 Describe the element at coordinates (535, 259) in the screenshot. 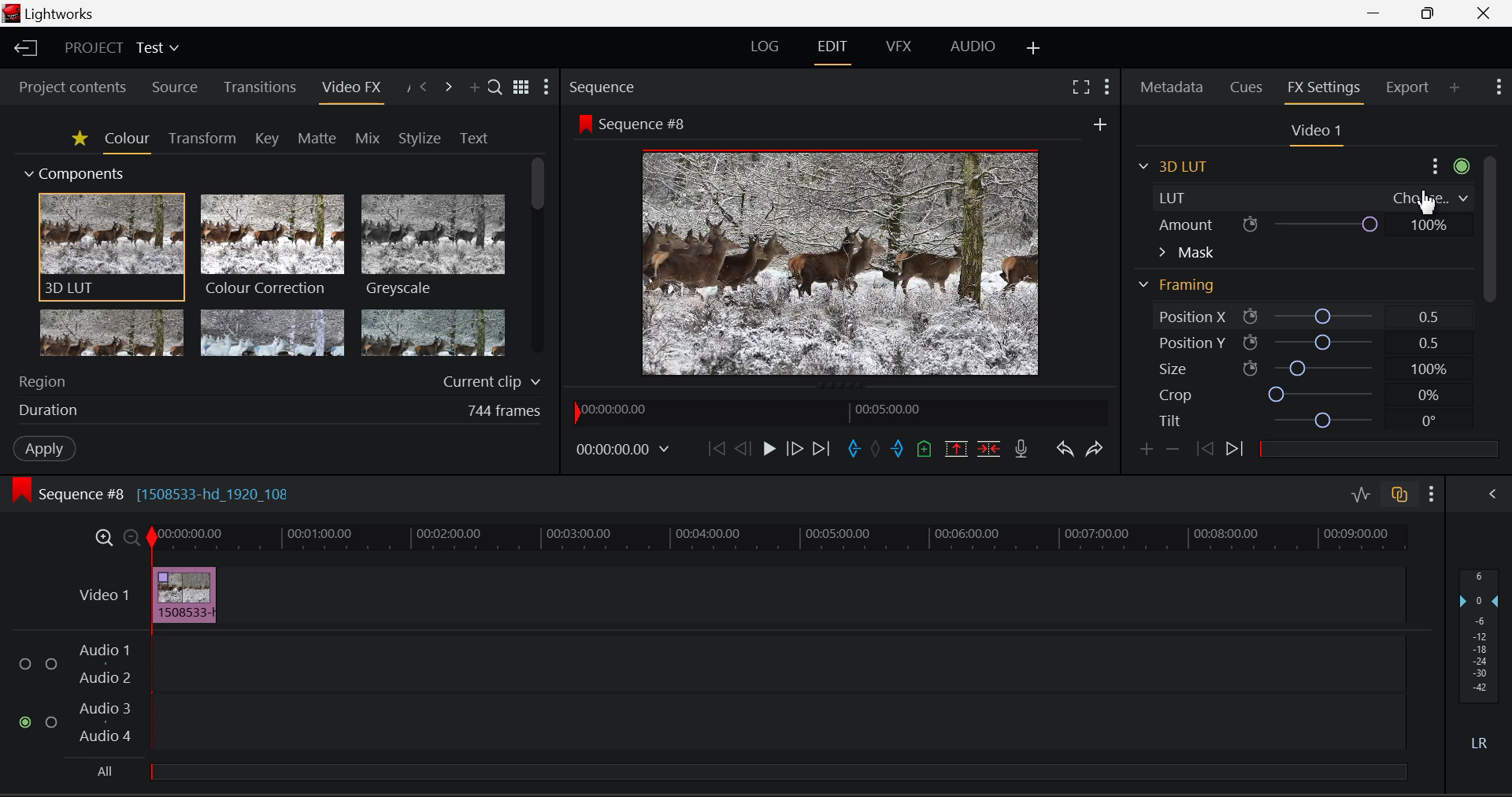

I see `Scroll Bar` at that location.